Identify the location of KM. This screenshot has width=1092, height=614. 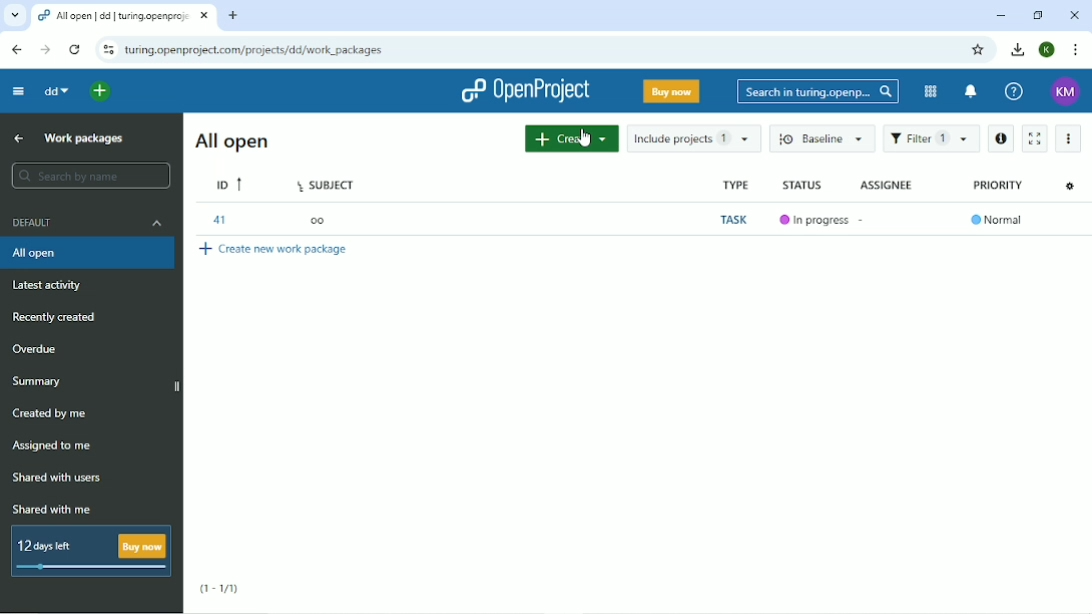
(1065, 92).